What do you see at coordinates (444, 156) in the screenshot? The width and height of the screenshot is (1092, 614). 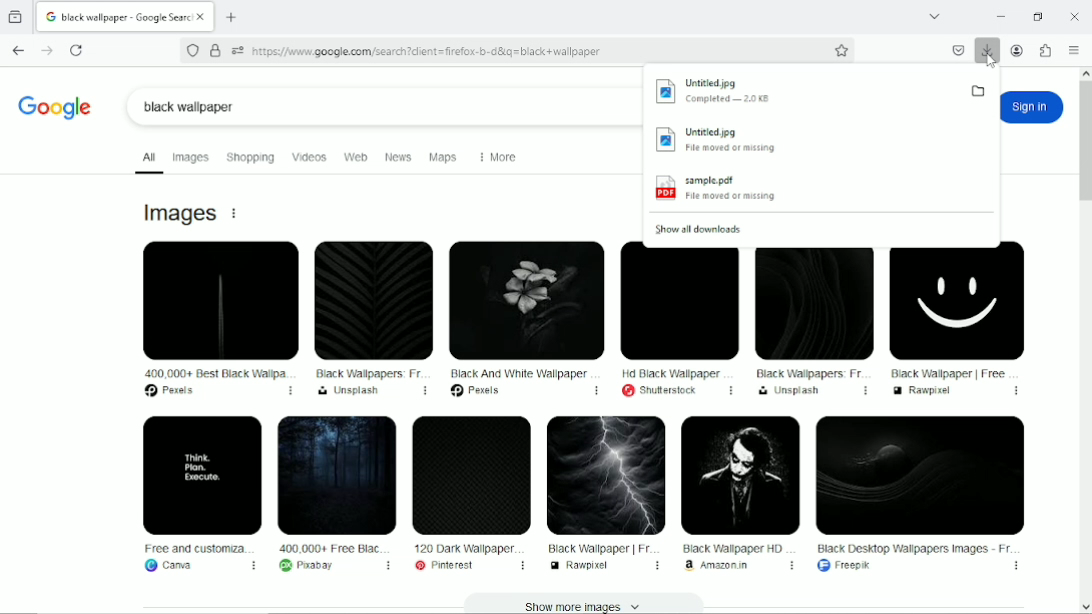 I see `Maps` at bounding box center [444, 156].